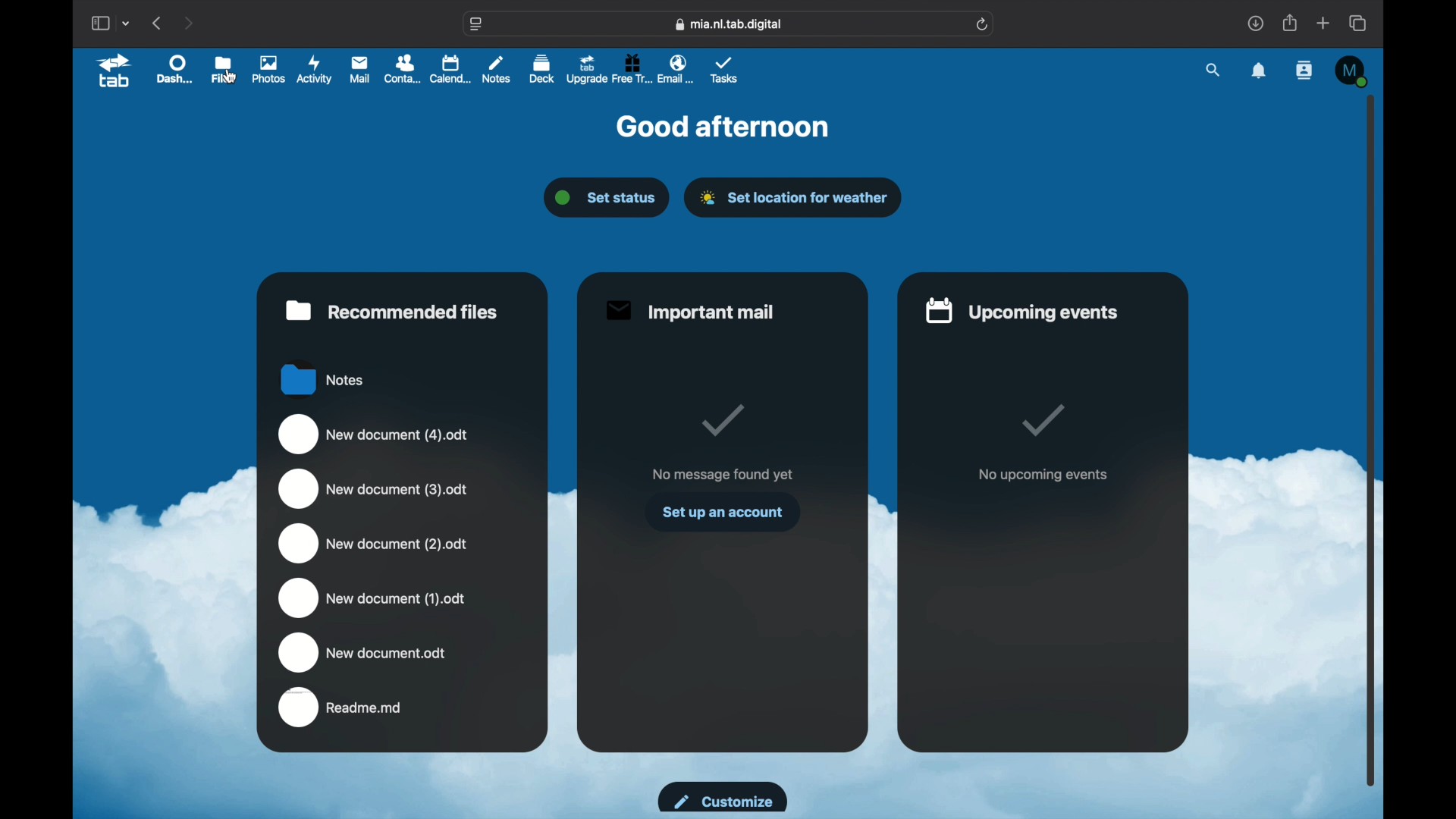 The height and width of the screenshot is (819, 1456). What do you see at coordinates (372, 544) in the screenshot?
I see `new document` at bounding box center [372, 544].